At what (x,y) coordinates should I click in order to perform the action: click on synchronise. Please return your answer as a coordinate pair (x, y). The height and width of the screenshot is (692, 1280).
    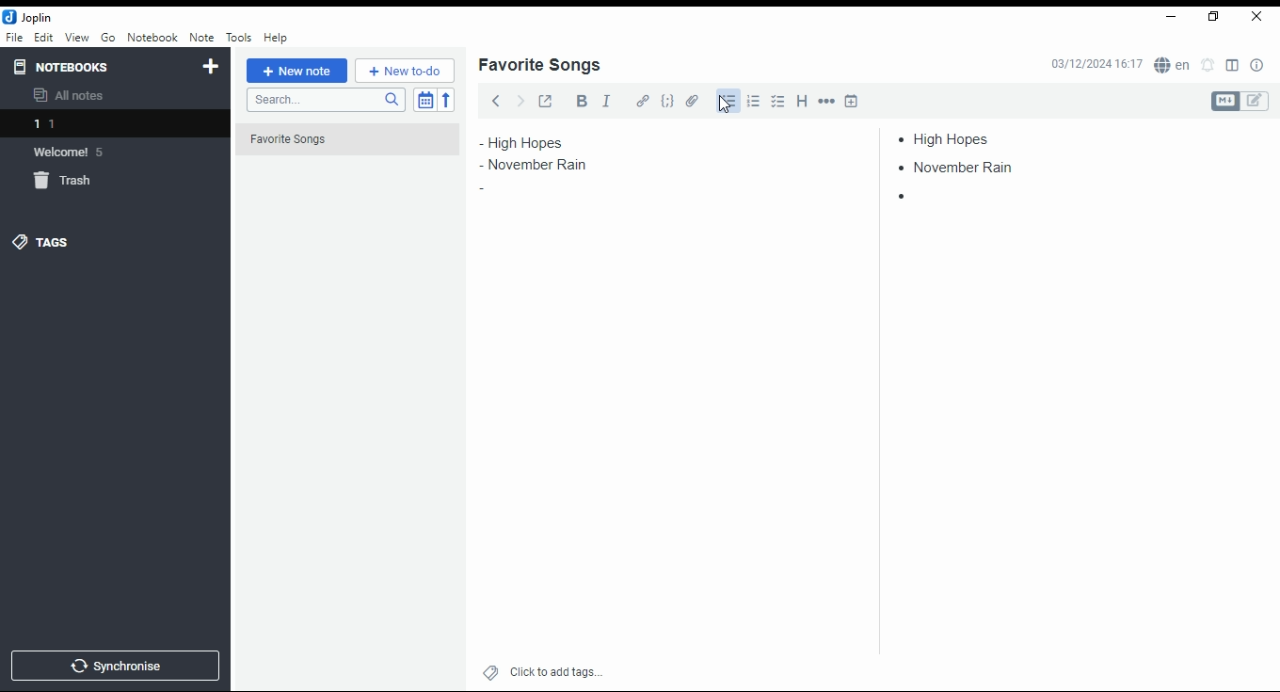
    Looking at the image, I should click on (112, 665).